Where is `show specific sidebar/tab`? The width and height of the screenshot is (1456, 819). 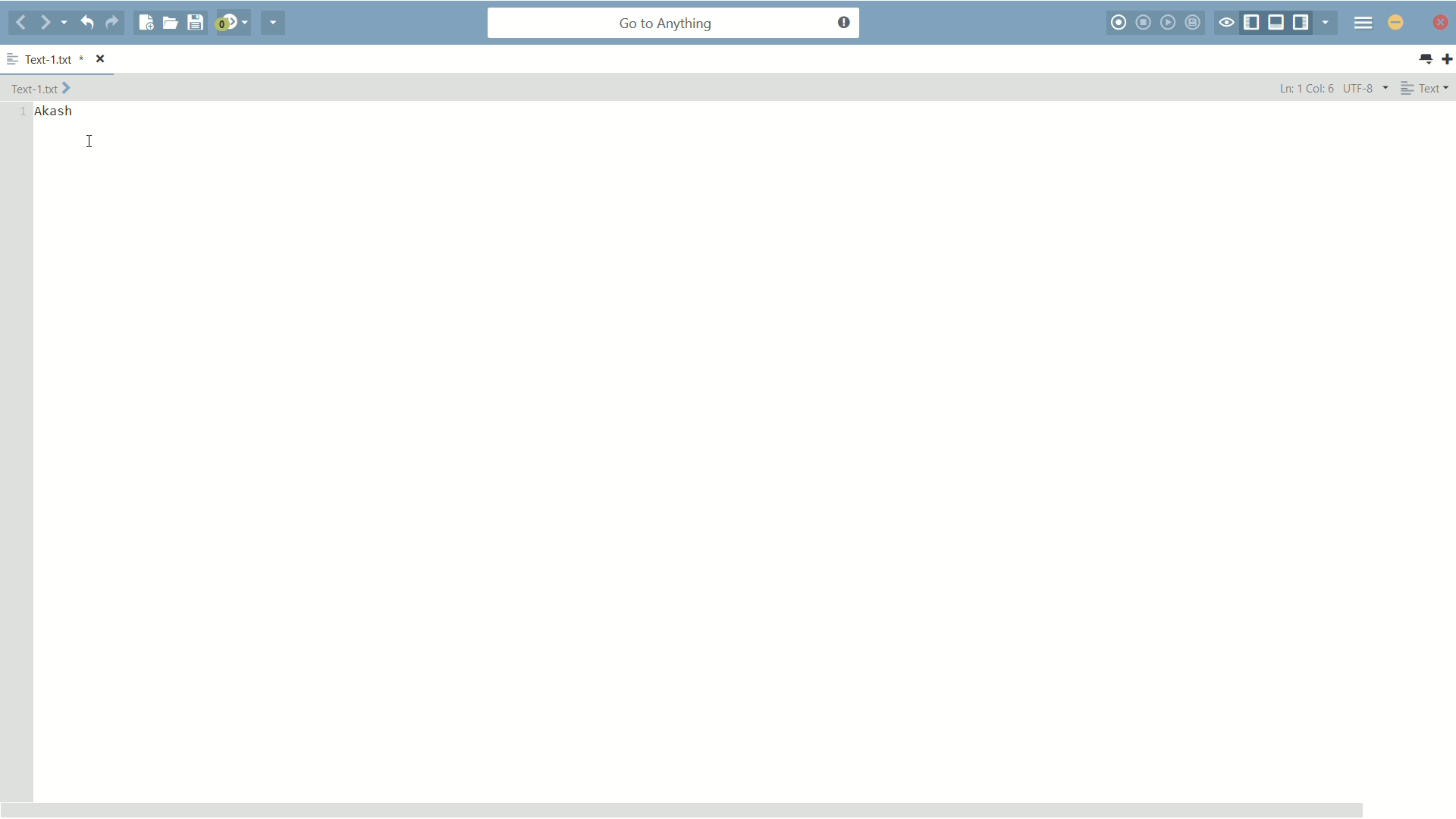
show specific sidebar/tab is located at coordinates (1326, 22).